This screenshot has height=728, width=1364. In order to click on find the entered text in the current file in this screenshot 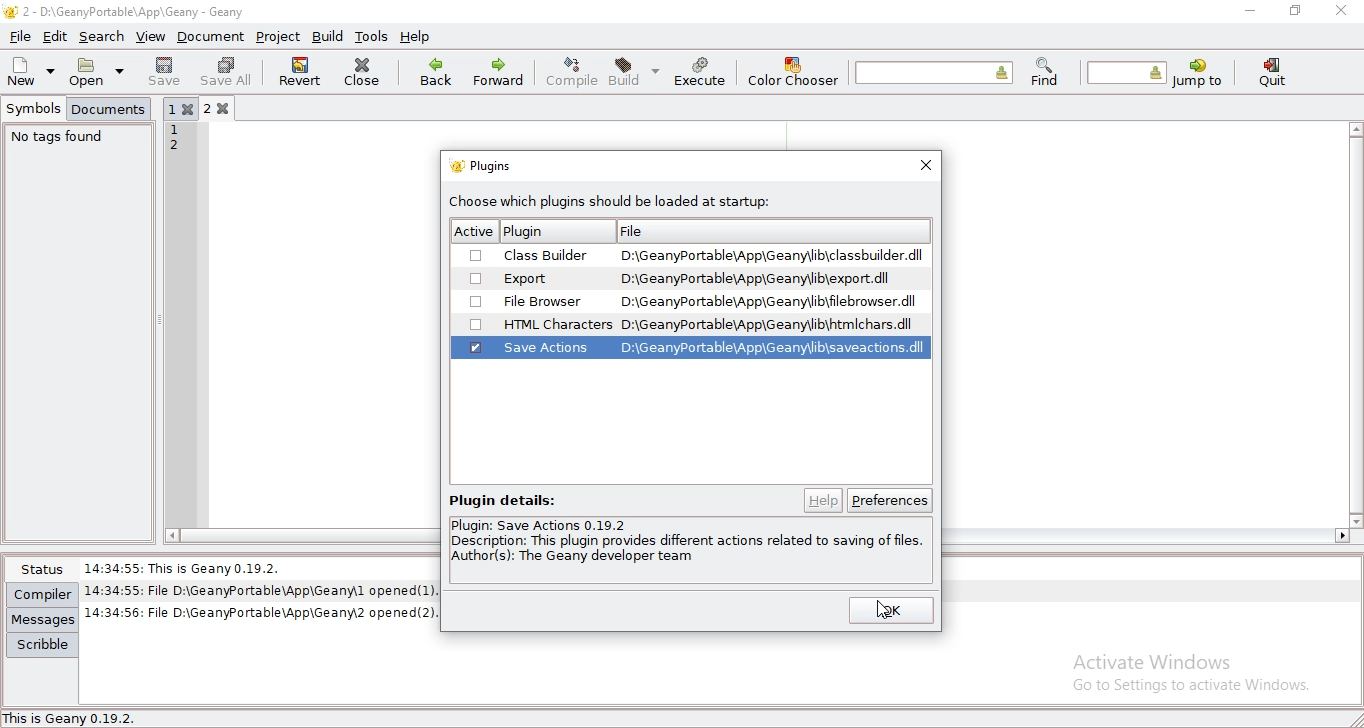, I will do `click(934, 71)`.